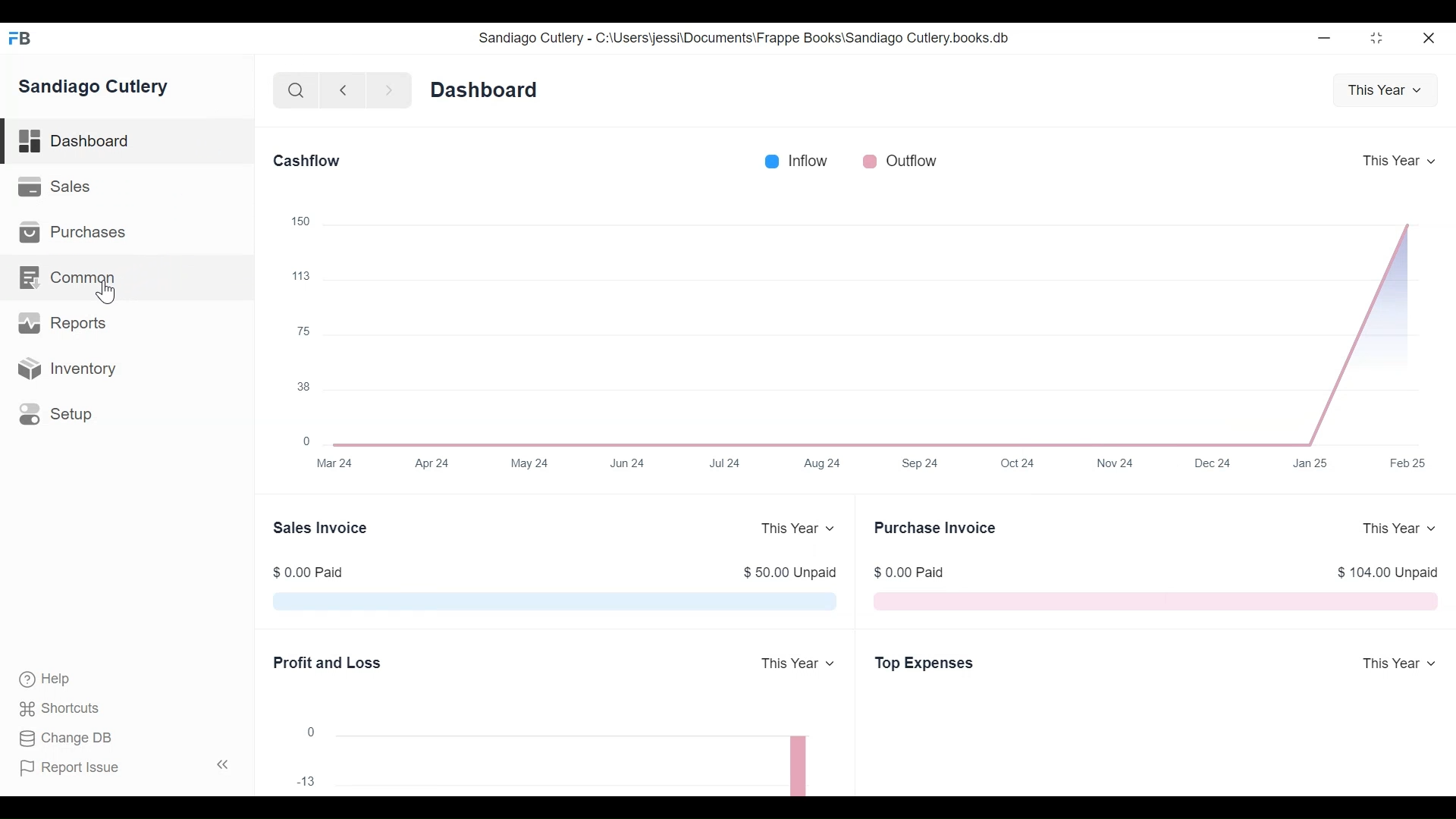  What do you see at coordinates (42, 677) in the screenshot?
I see `Help` at bounding box center [42, 677].